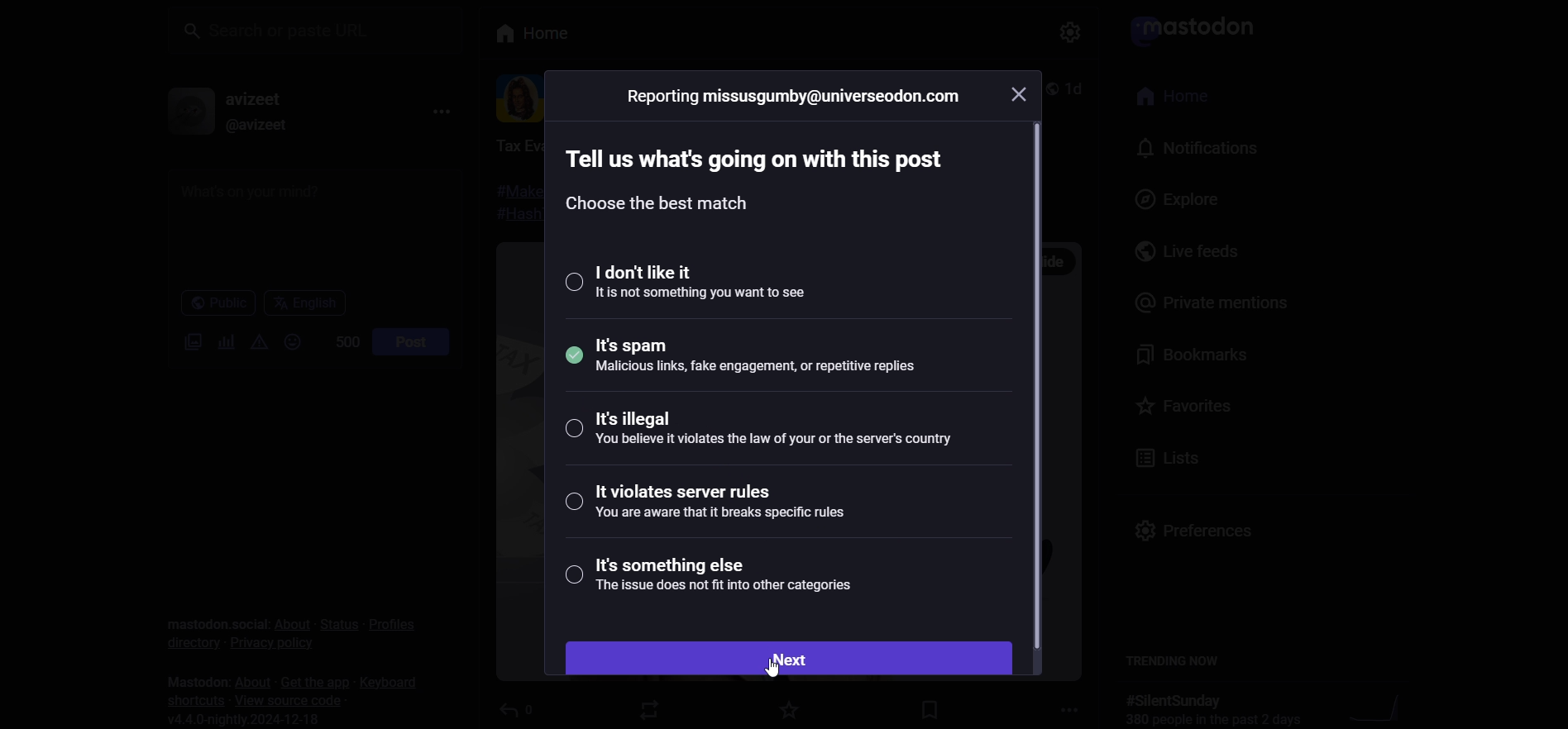 Image resolution: width=1568 pixels, height=729 pixels. Describe the element at coordinates (760, 185) in the screenshot. I see `instruction` at that location.